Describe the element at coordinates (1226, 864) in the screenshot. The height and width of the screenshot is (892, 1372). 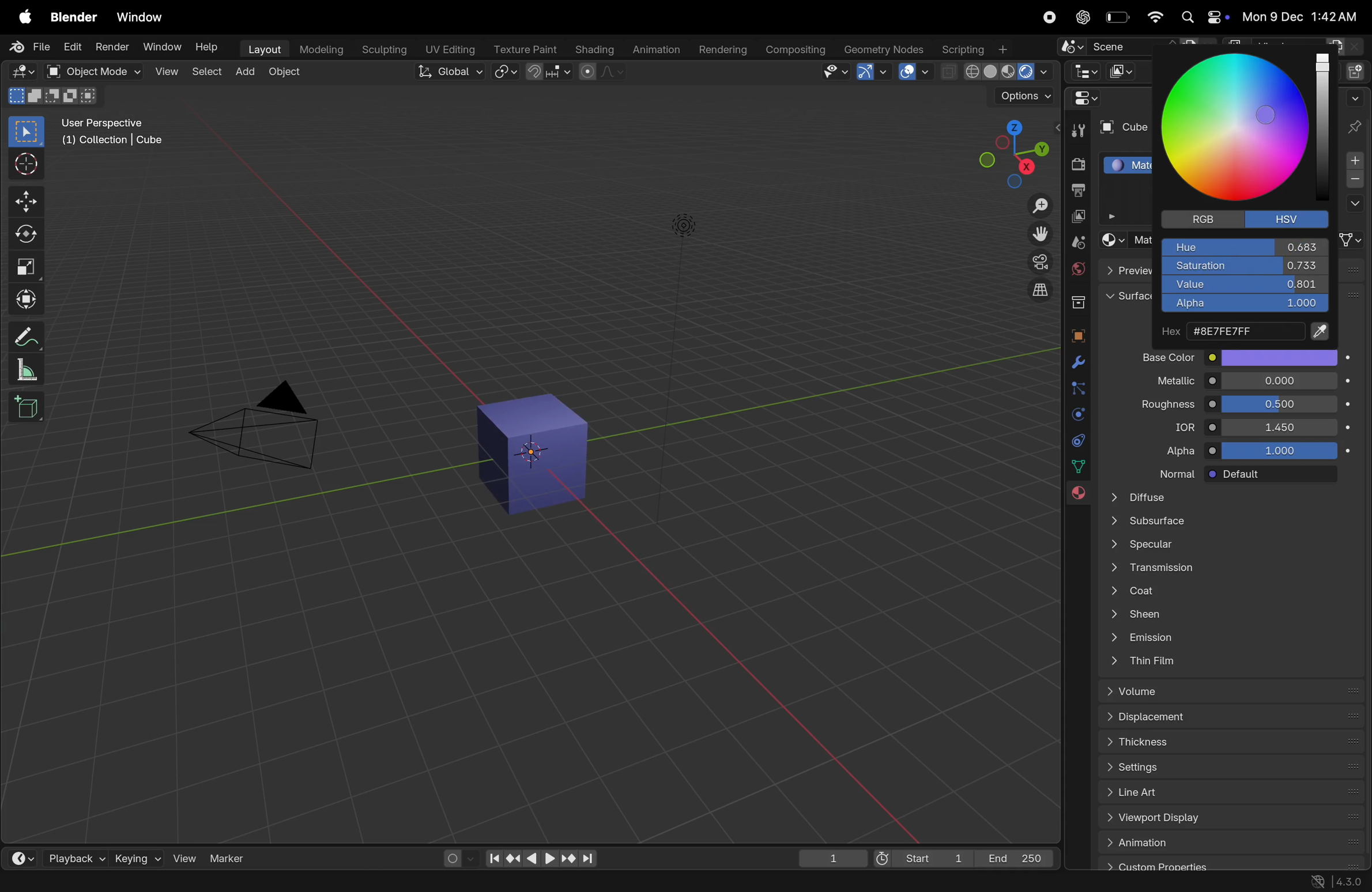
I see `custom properties` at that location.